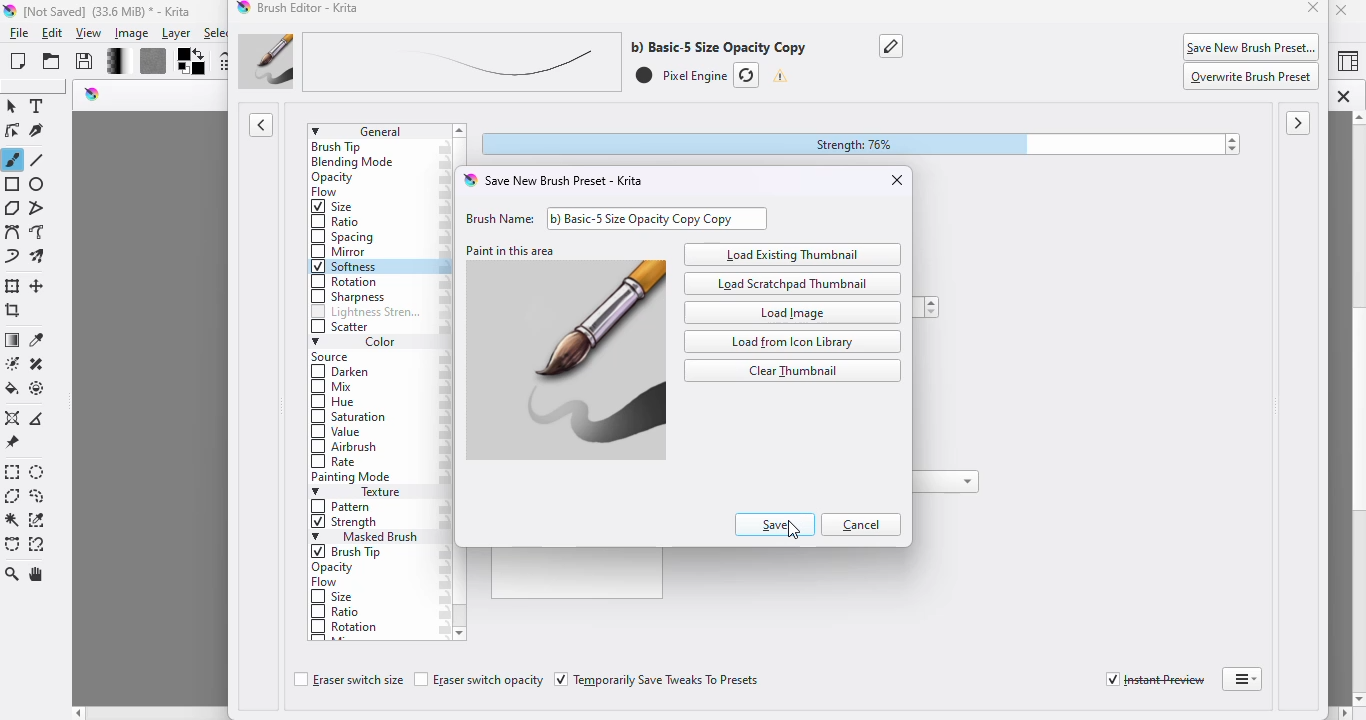 This screenshot has height=720, width=1366. Describe the element at coordinates (563, 361) in the screenshot. I see `paint in this area` at that location.